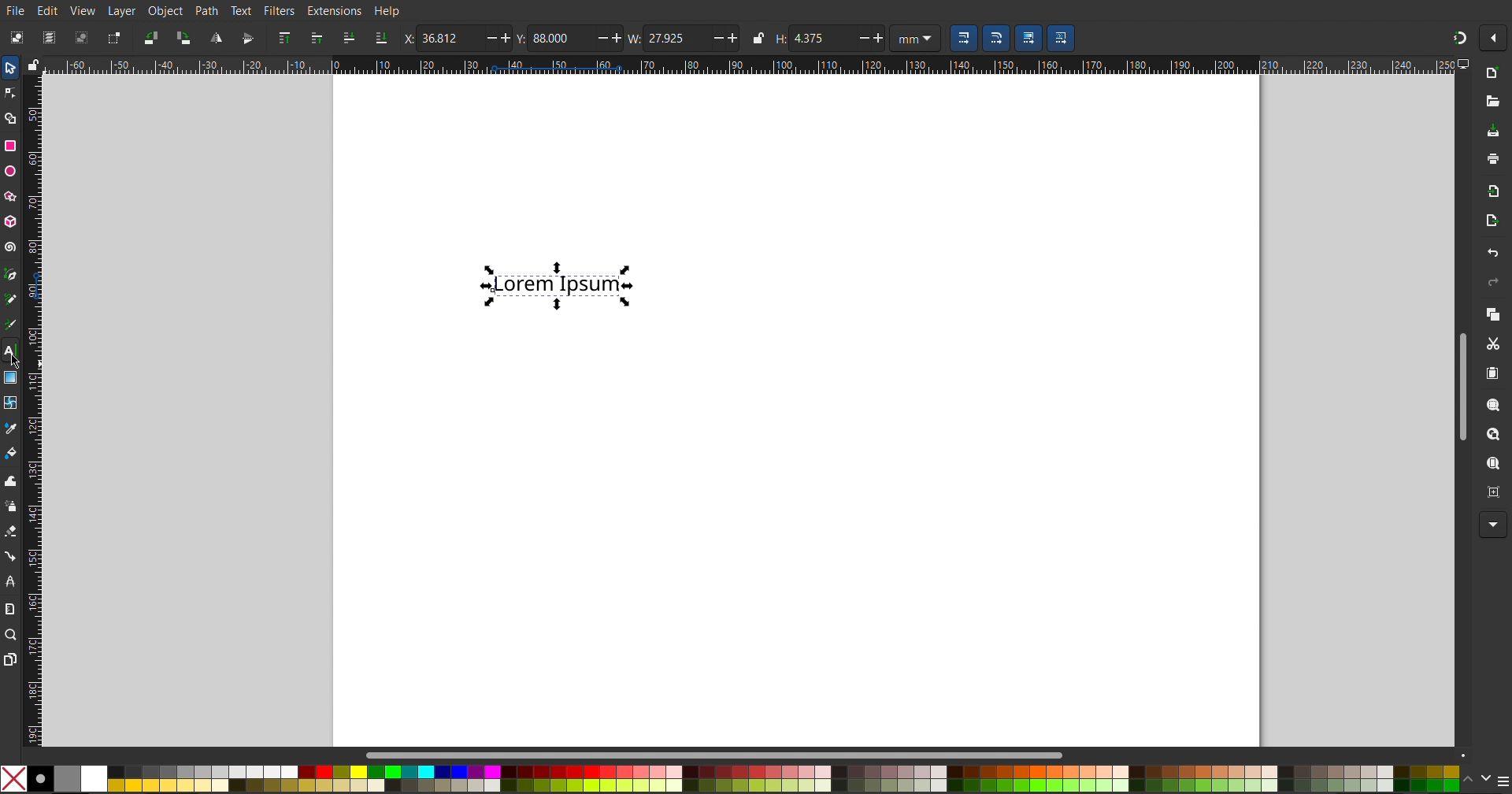 The height and width of the screenshot is (794, 1512). I want to click on New, so click(1492, 74).